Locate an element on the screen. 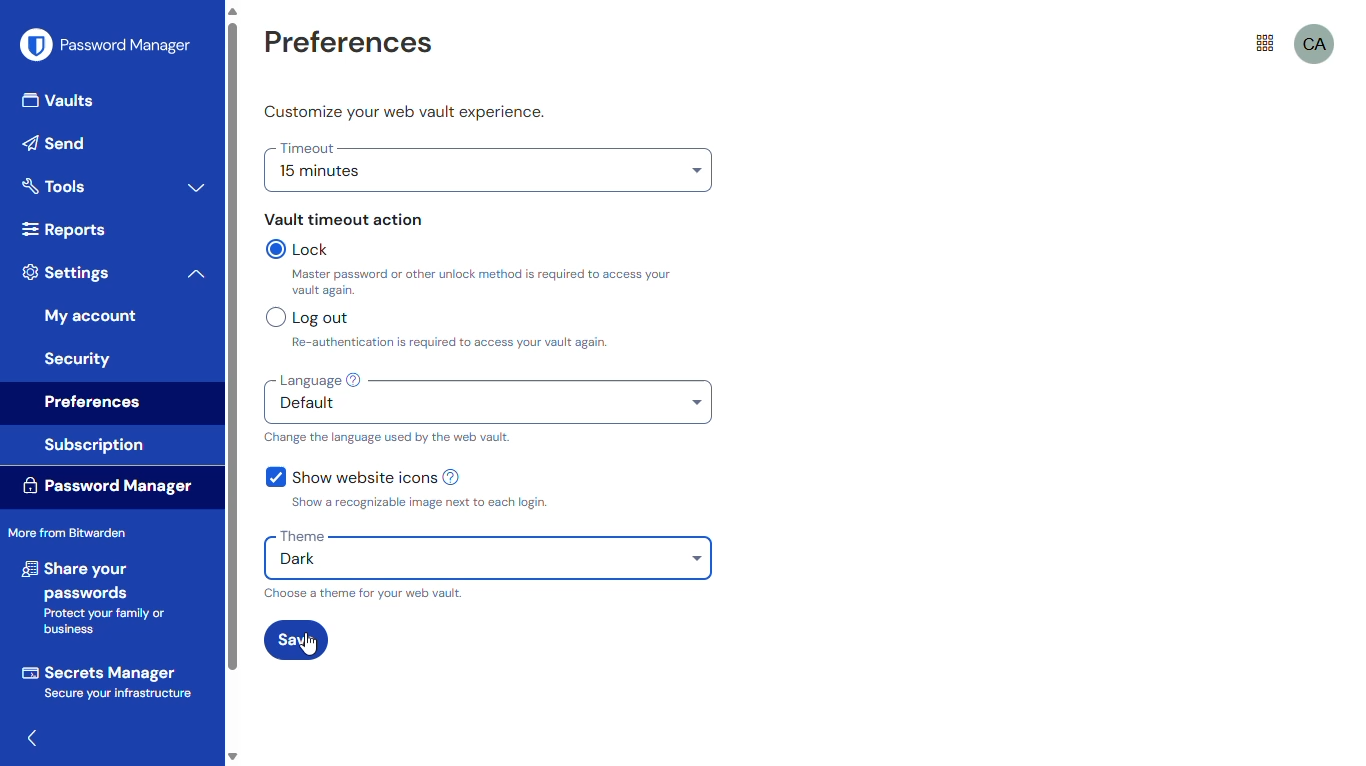  timeout is located at coordinates (308, 148).